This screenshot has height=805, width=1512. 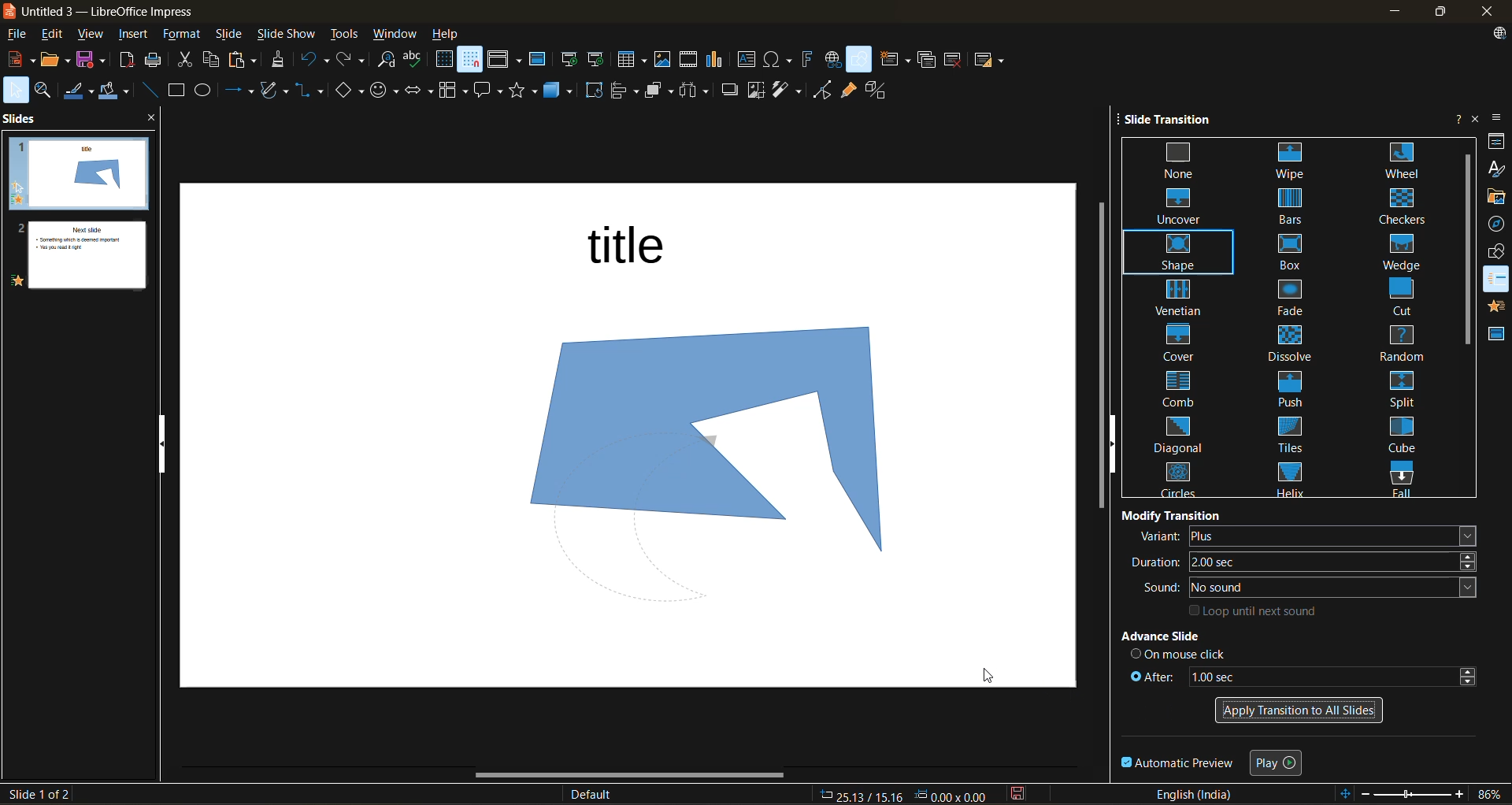 What do you see at coordinates (1179, 764) in the screenshot?
I see `automatic preview` at bounding box center [1179, 764].